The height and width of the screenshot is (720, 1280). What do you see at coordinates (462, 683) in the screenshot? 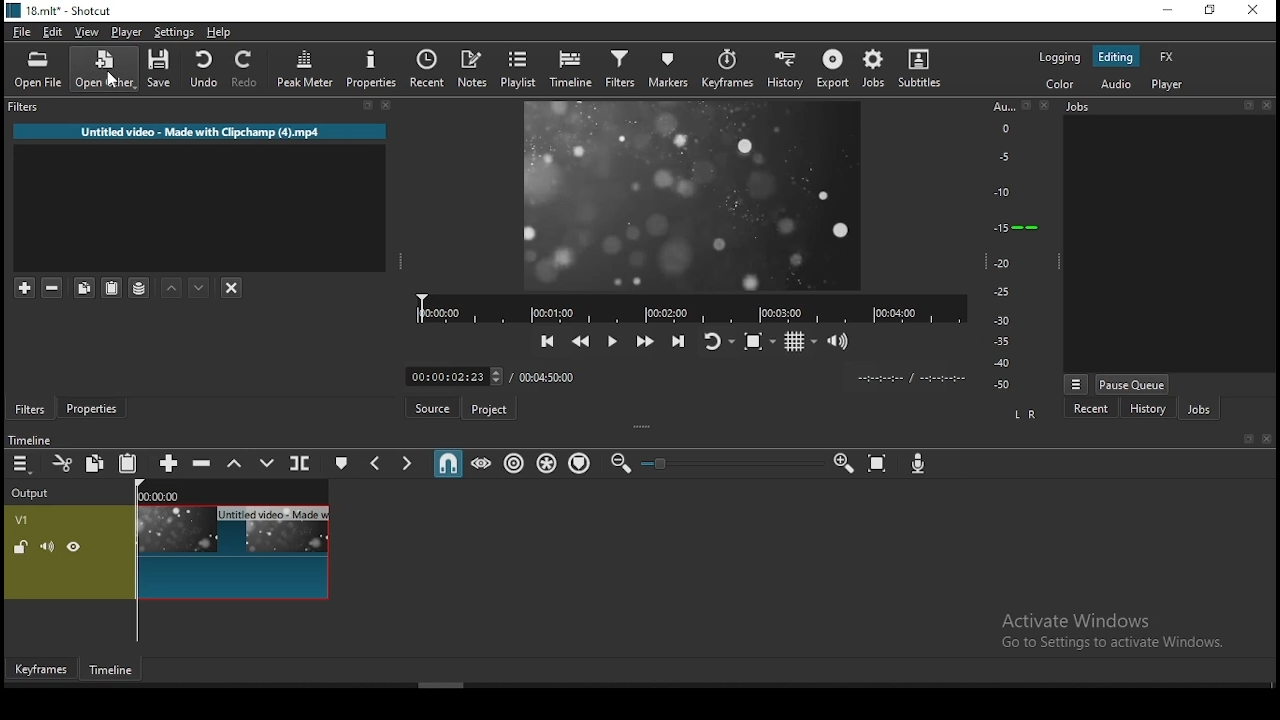
I see `scroll bar` at bounding box center [462, 683].